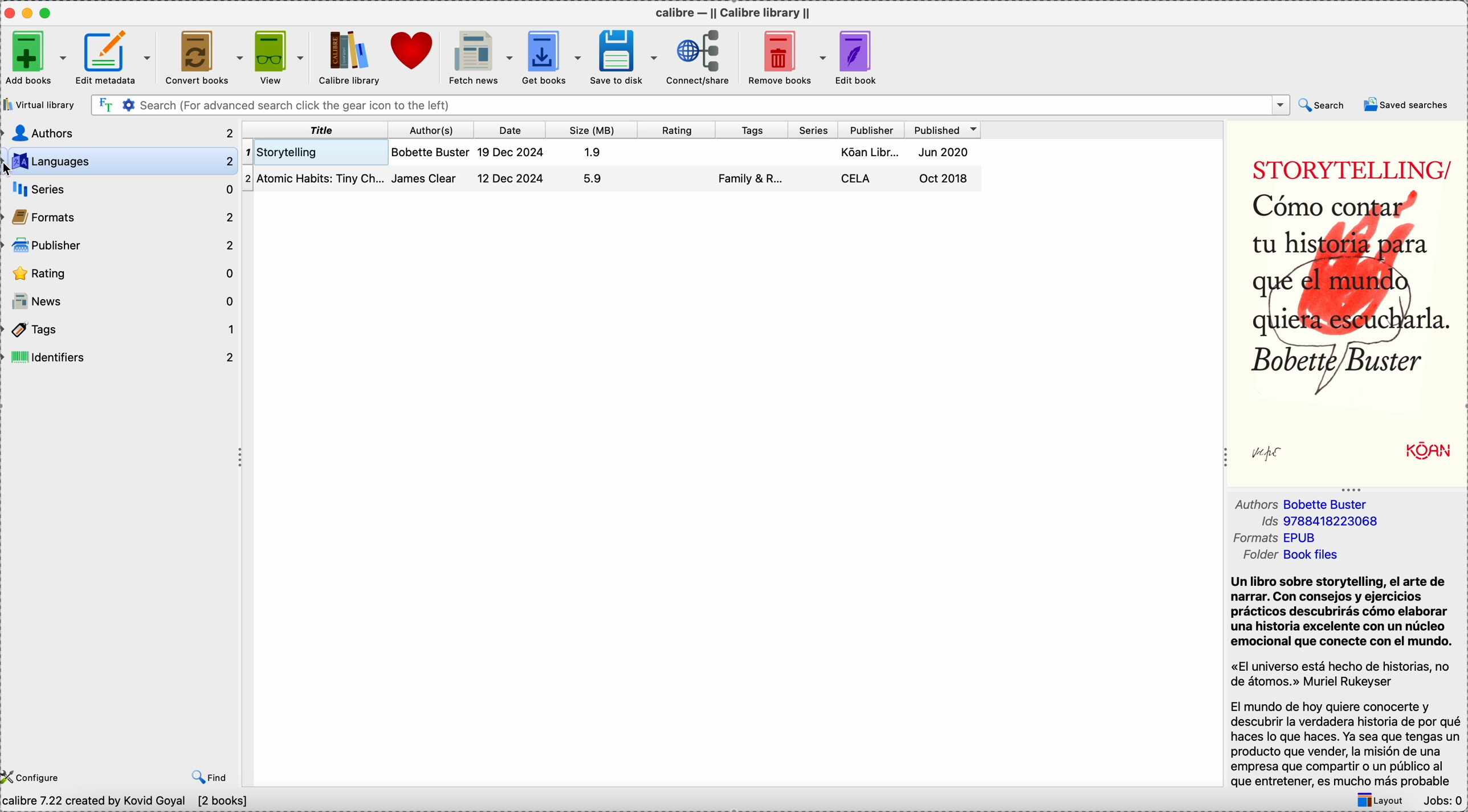  What do you see at coordinates (612, 178) in the screenshot?
I see `Atomic Habits: Tiny Changes...` at bounding box center [612, 178].